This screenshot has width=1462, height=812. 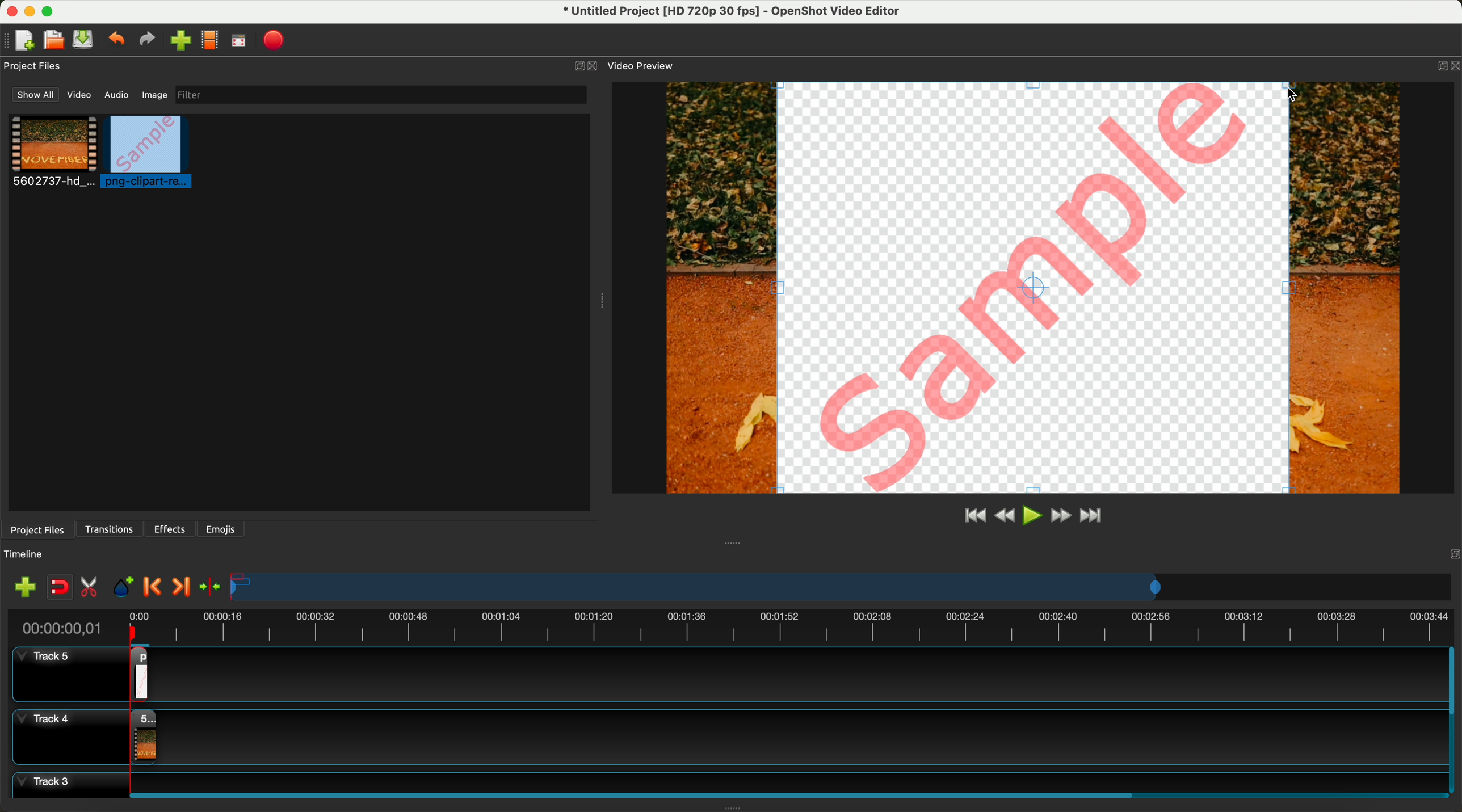 What do you see at coordinates (85, 40) in the screenshot?
I see `save file` at bounding box center [85, 40].